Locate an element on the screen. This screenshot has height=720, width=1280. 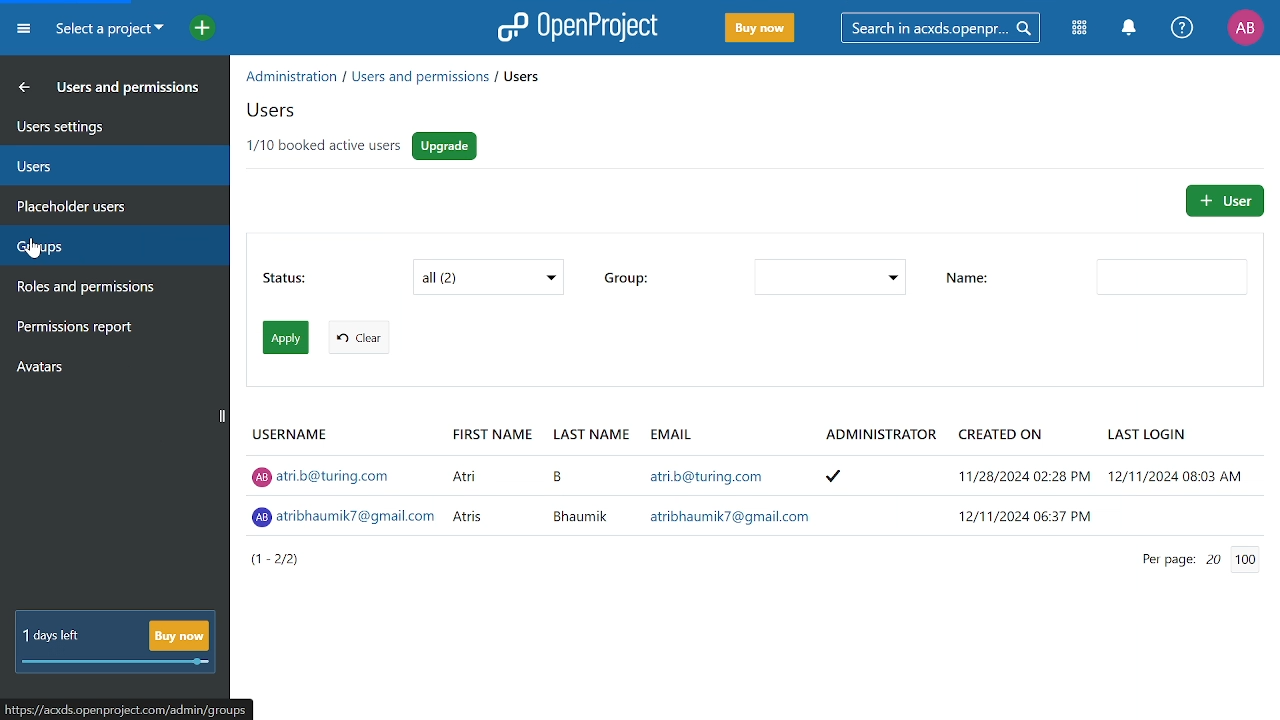
emails is located at coordinates (729, 495).